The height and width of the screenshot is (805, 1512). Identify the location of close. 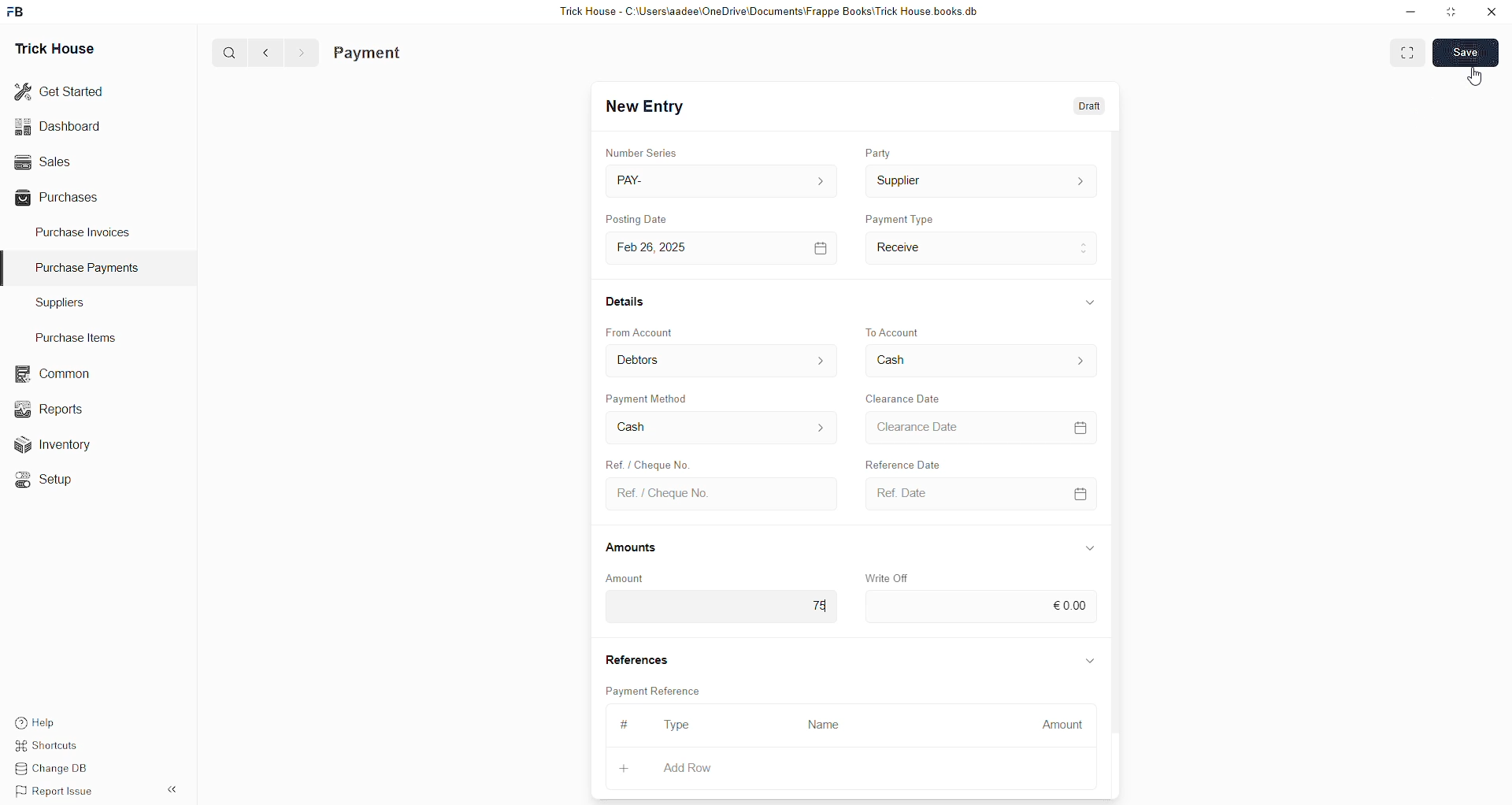
(1492, 12).